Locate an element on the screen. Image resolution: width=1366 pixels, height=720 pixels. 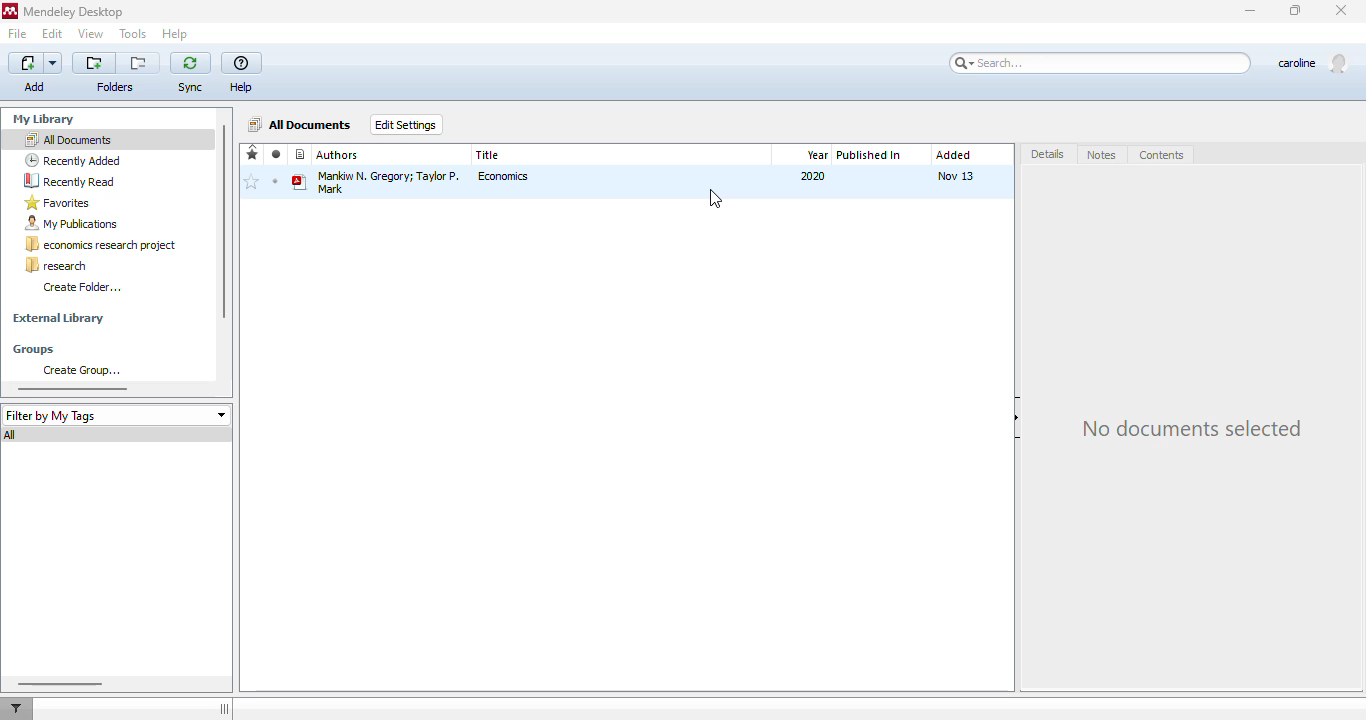
all documents is located at coordinates (67, 139).